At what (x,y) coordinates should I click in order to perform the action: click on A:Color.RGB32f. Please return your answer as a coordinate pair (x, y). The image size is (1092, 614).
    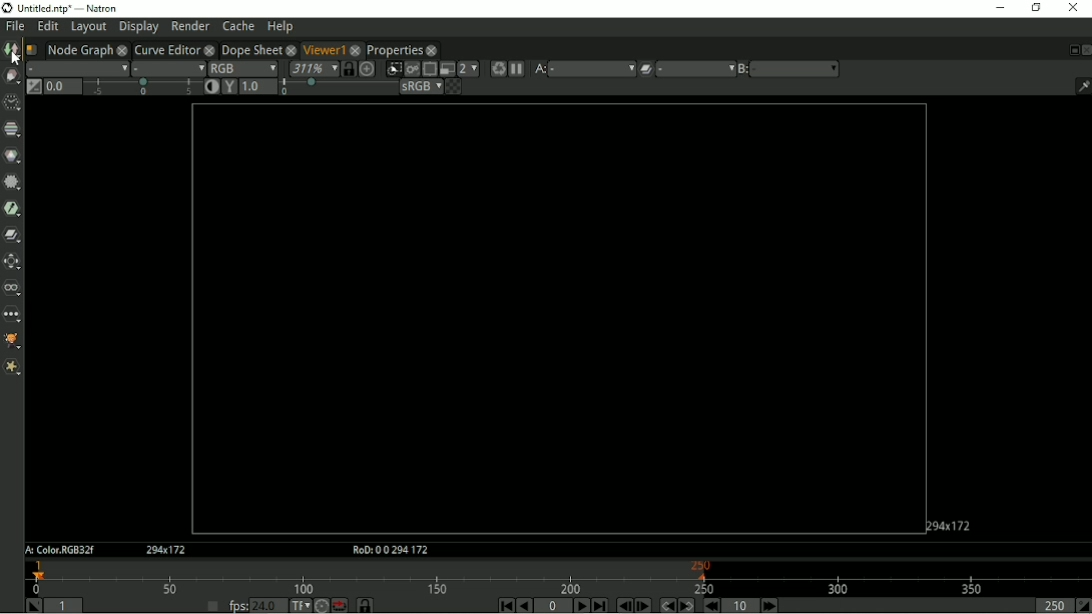
    Looking at the image, I should click on (58, 551).